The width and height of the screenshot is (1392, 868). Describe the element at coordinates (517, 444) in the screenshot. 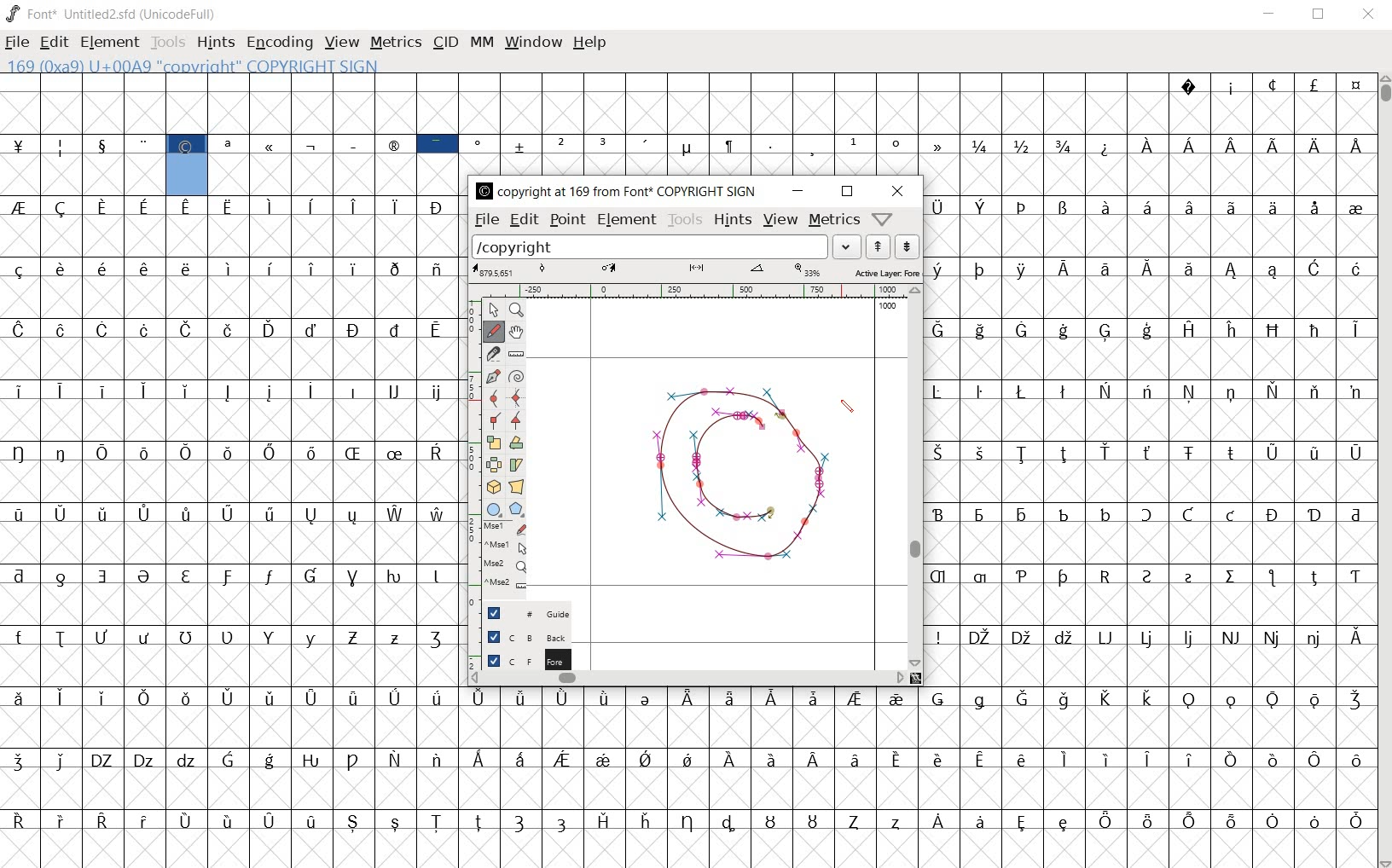

I see `Rotate the selection` at that location.